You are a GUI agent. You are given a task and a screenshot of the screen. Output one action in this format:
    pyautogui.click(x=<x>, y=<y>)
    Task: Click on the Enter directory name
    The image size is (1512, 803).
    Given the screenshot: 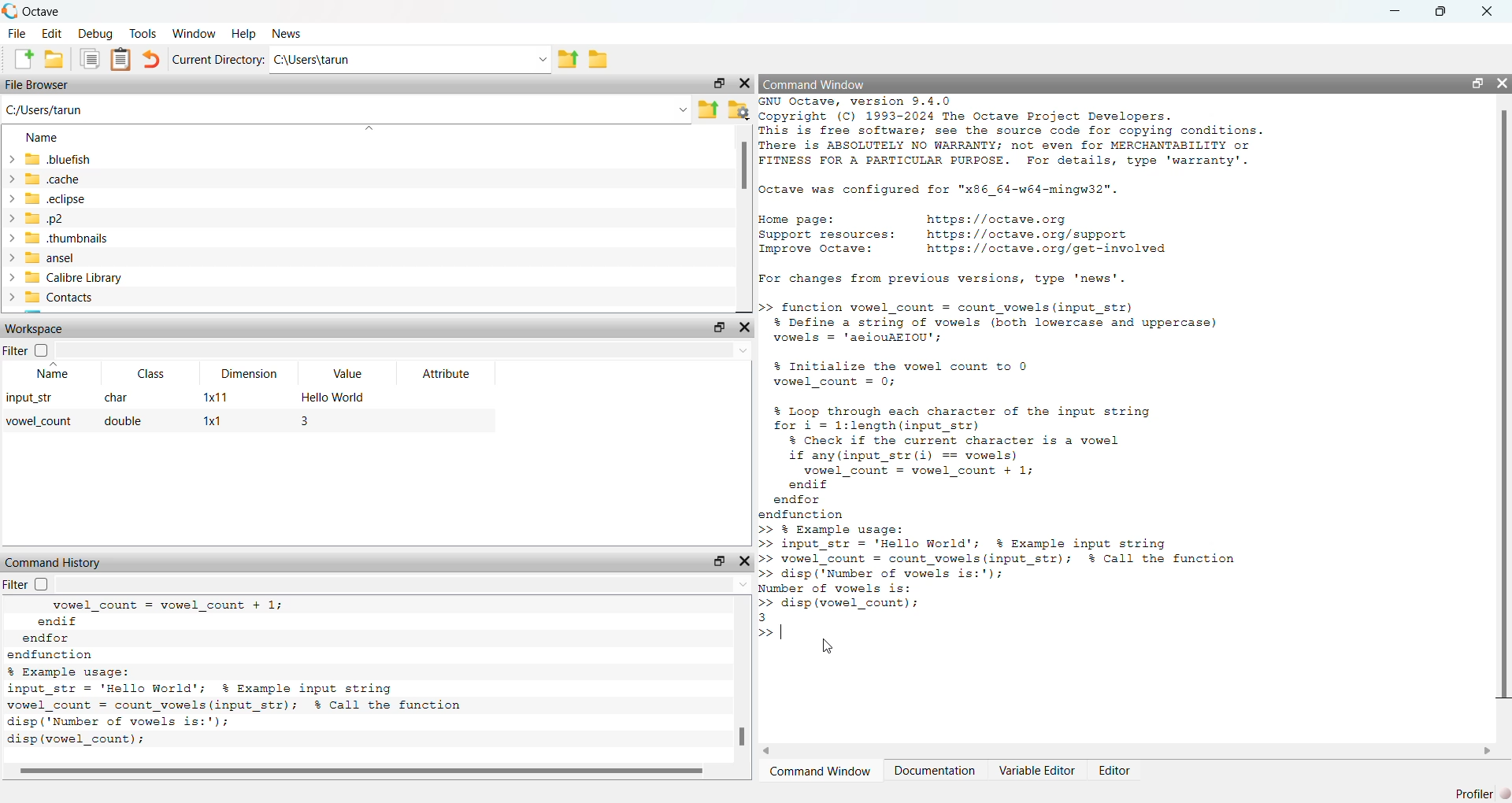 What is the action you would take?
    pyautogui.click(x=542, y=57)
    